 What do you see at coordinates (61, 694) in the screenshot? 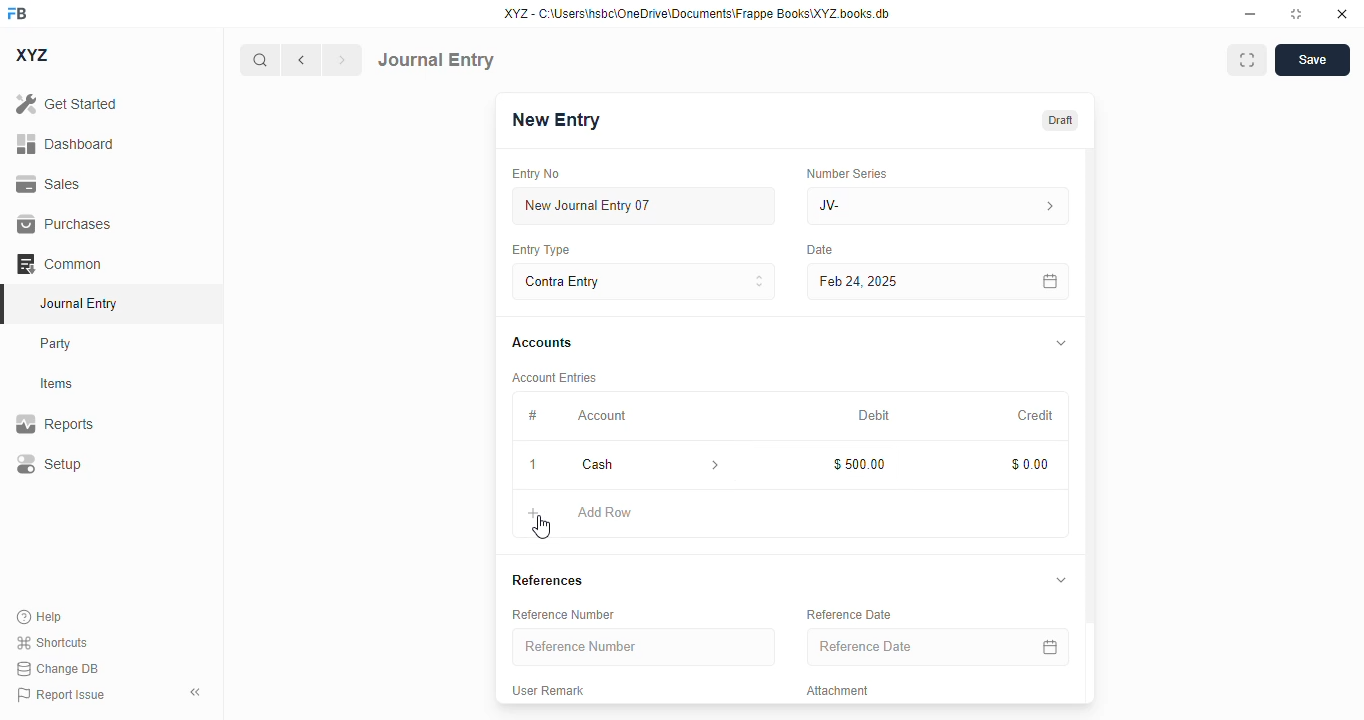
I see `report issue` at bounding box center [61, 694].